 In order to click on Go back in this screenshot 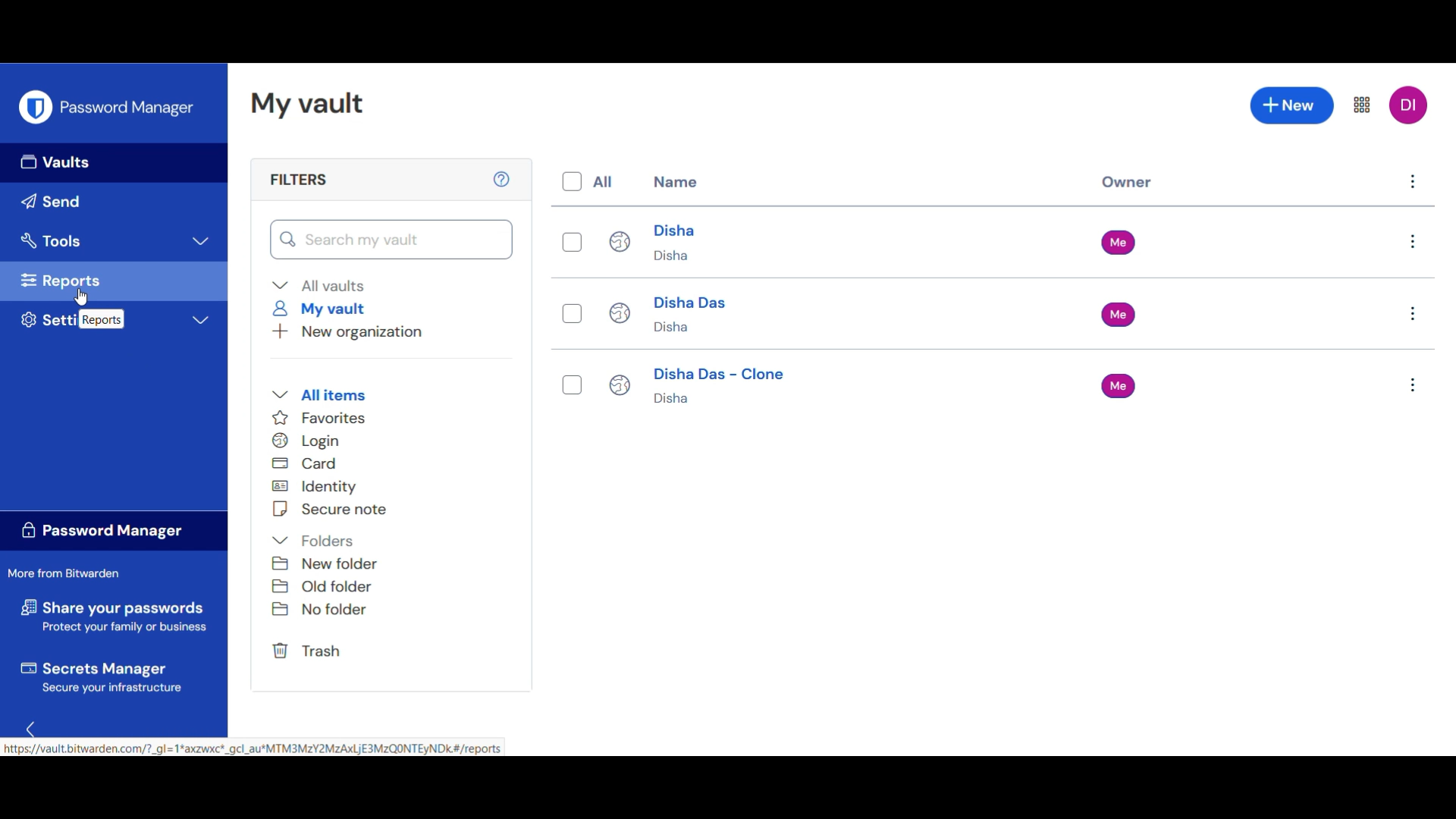, I will do `click(34, 724)`.